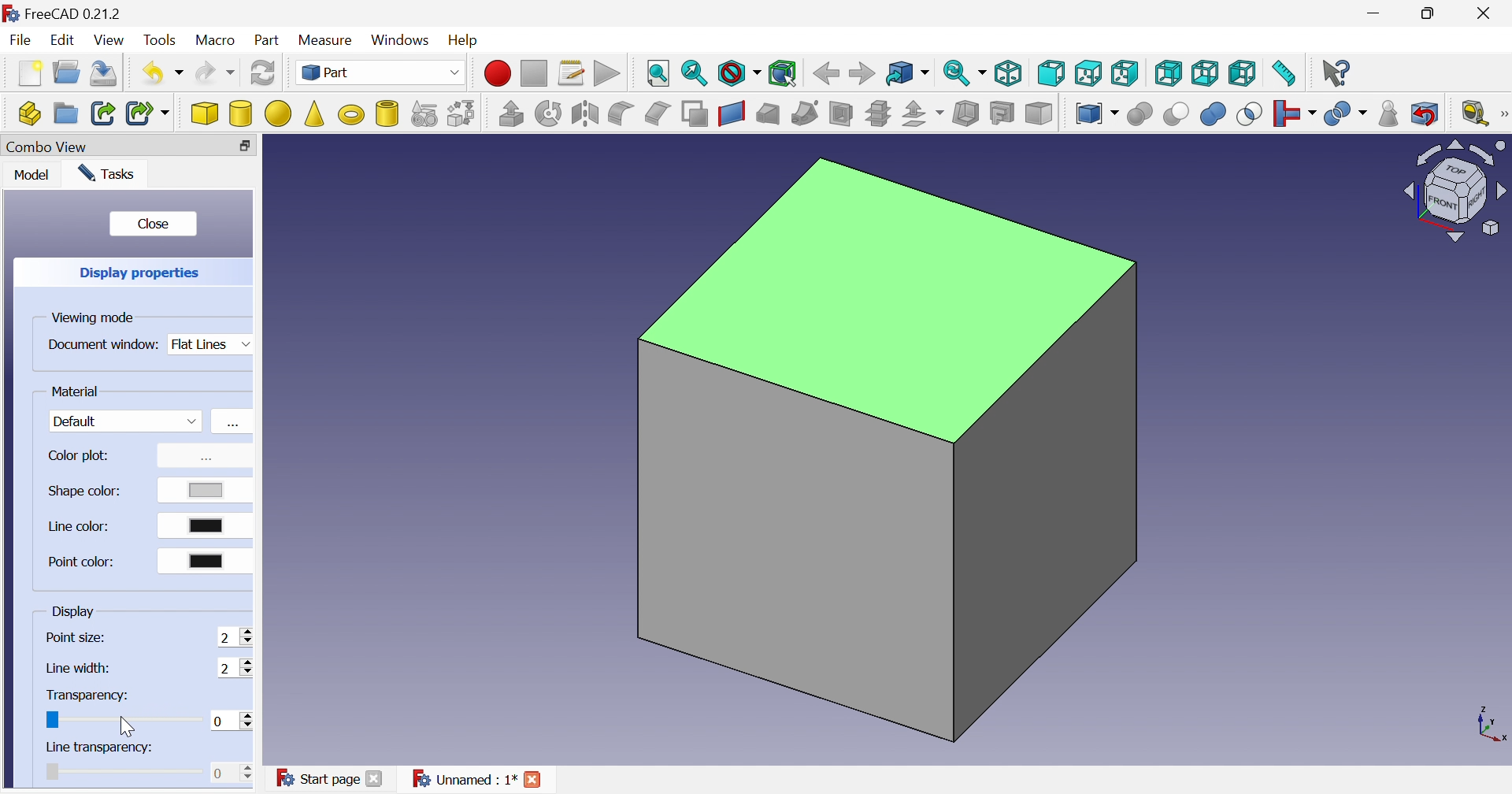  I want to click on Extrude, so click(511, 114).